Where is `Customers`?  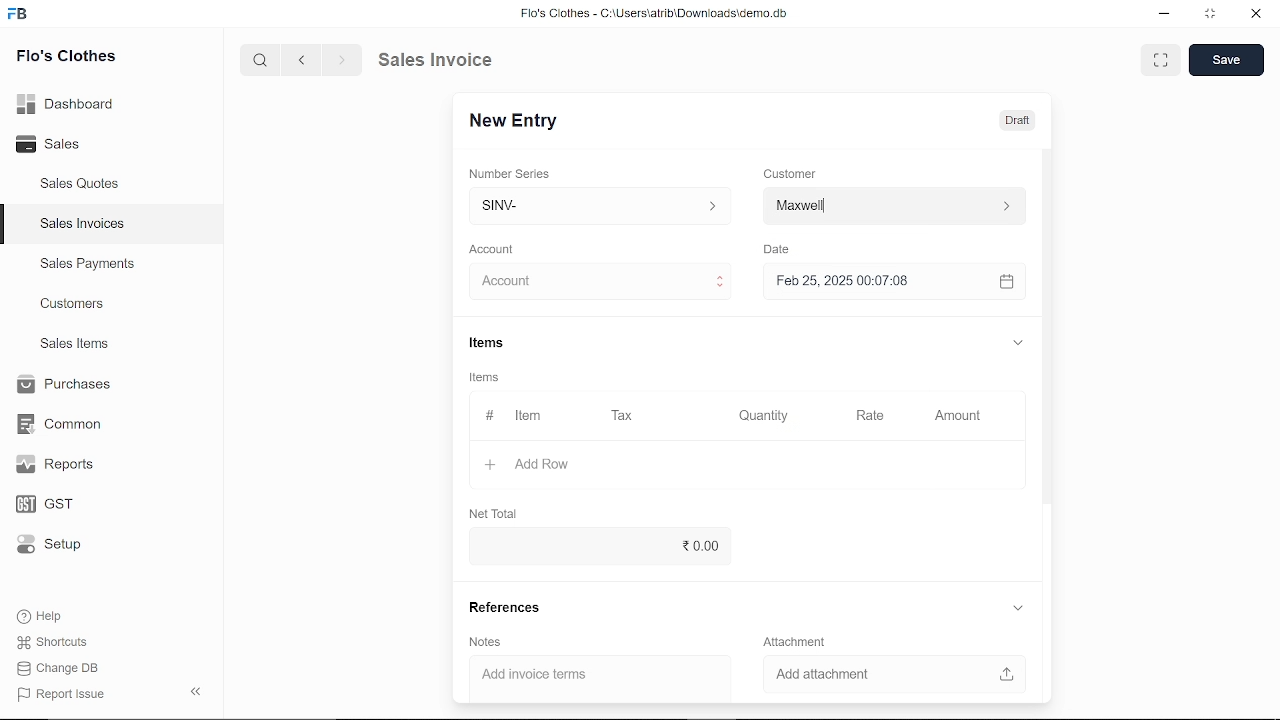
Customers is located at coordinates (74, 303).